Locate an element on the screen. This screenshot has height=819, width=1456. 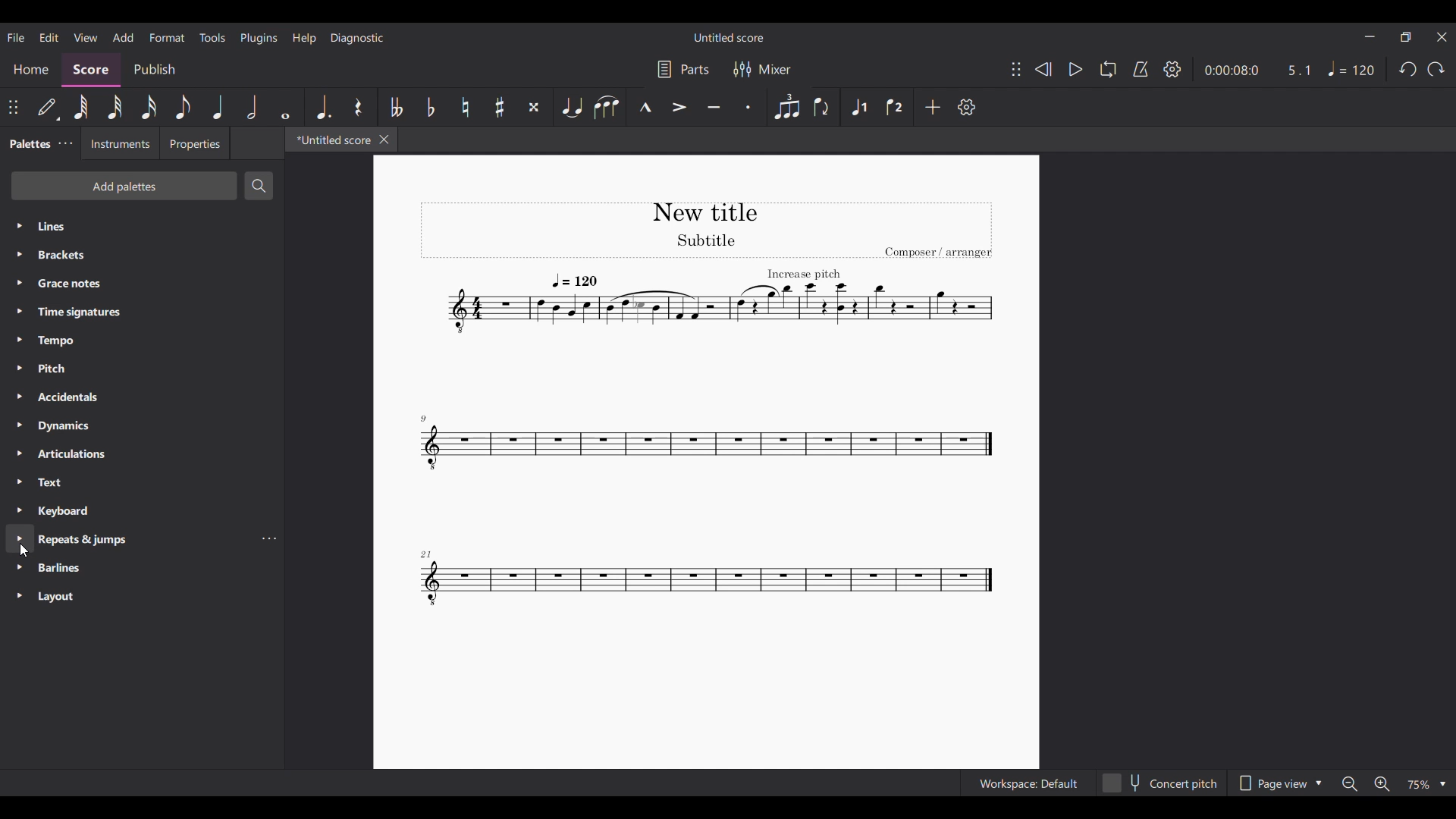
Concert pitch toggle is located at coordinates (1161, 783).